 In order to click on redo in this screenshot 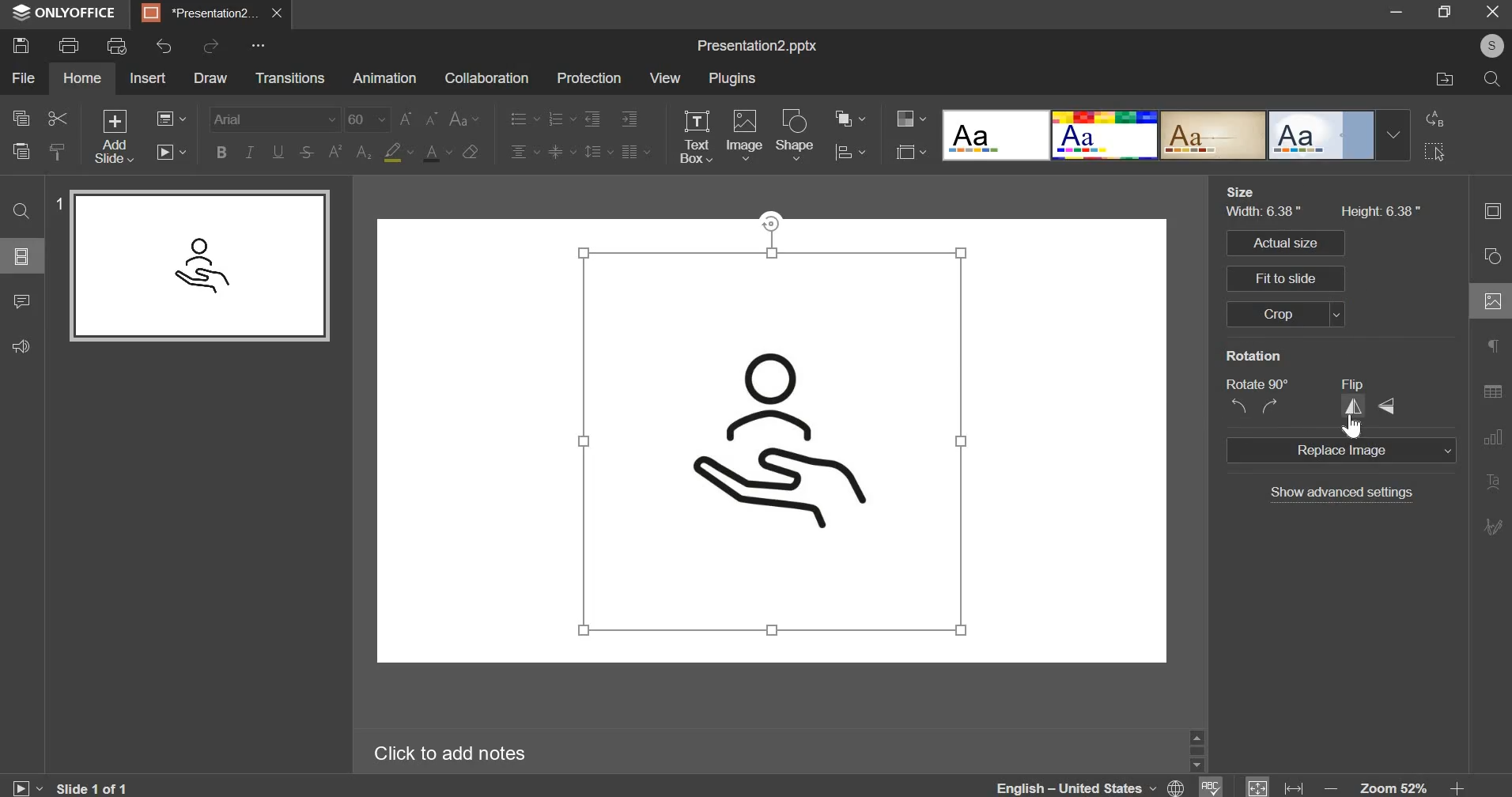, I will do `click(212, 45)`.